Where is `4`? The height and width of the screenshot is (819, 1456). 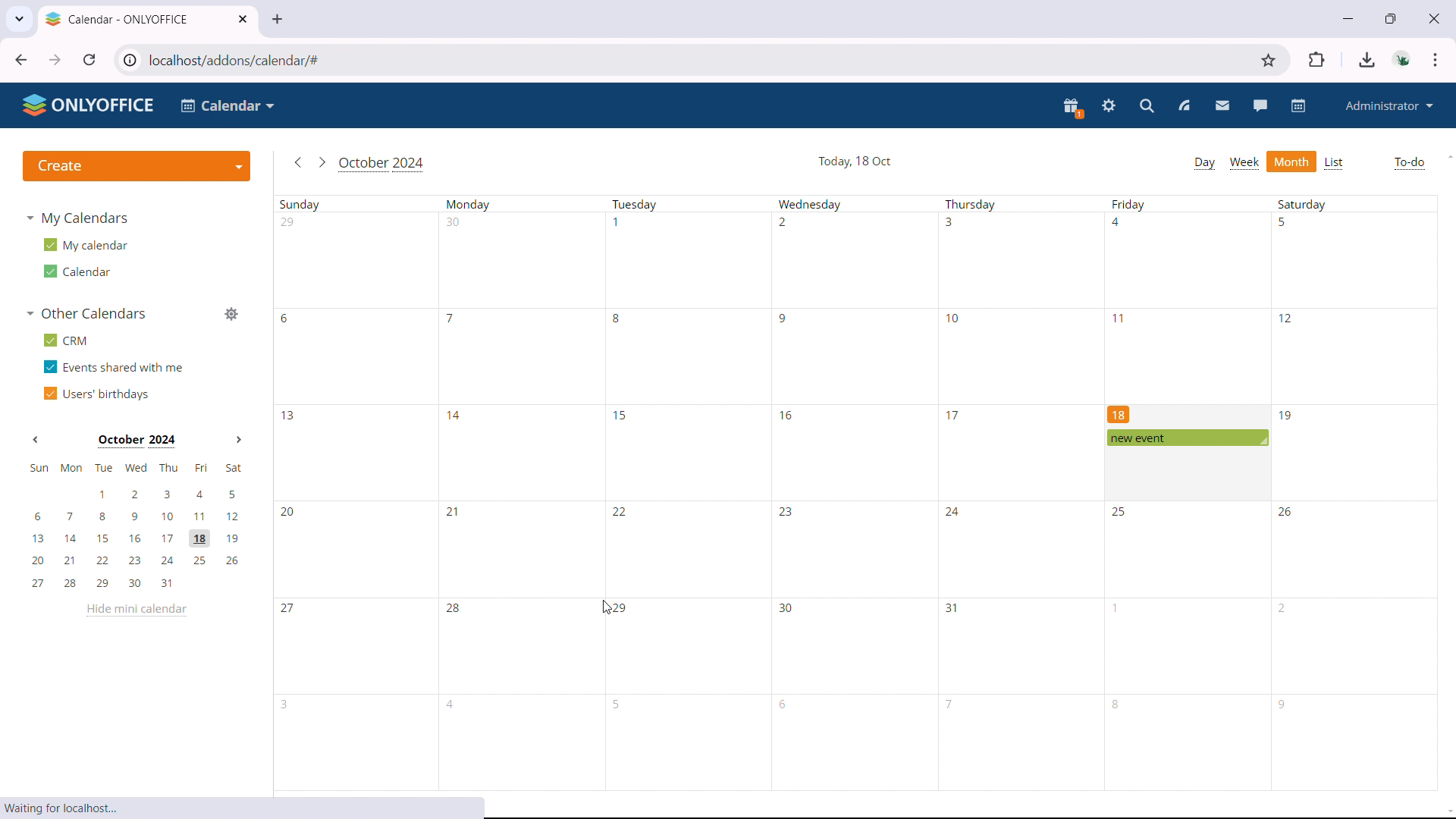 4 is located at coordinates (1119, 222).